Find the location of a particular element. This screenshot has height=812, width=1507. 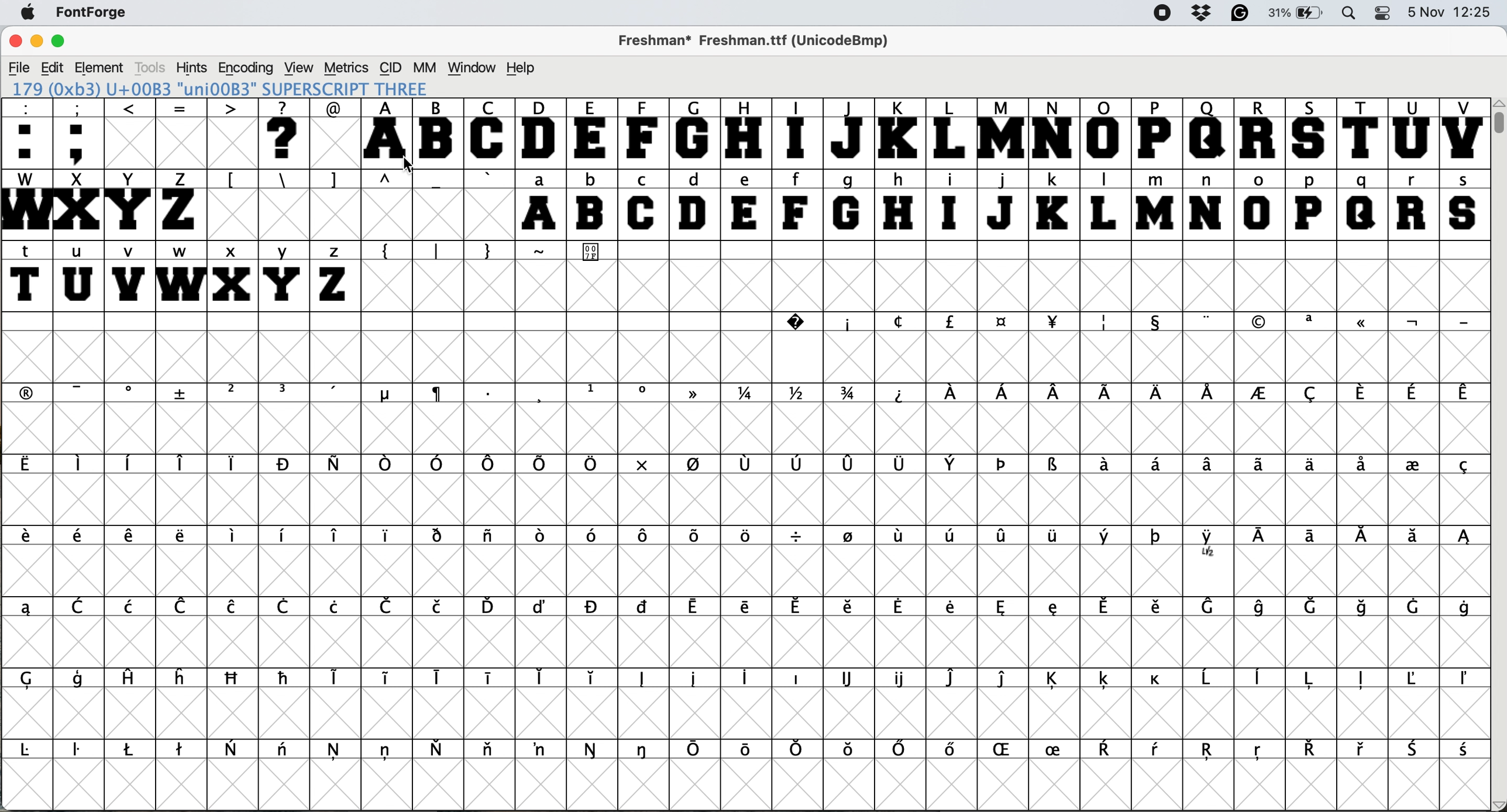

? is located at coordinates (287, 133).